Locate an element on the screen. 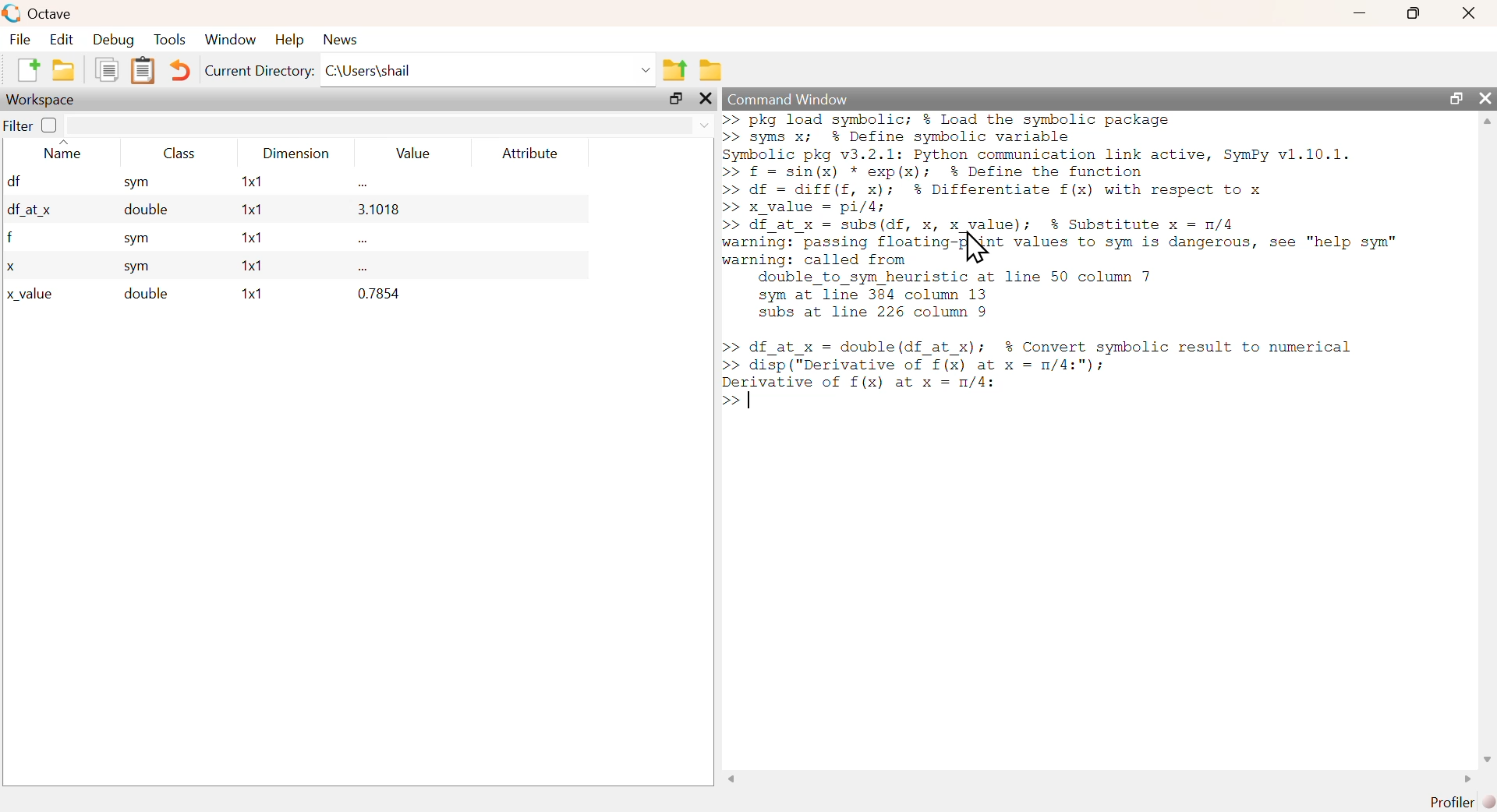 The height and width of the screenshot is (812, 1497). New Script is located at coordinates (31, 69).